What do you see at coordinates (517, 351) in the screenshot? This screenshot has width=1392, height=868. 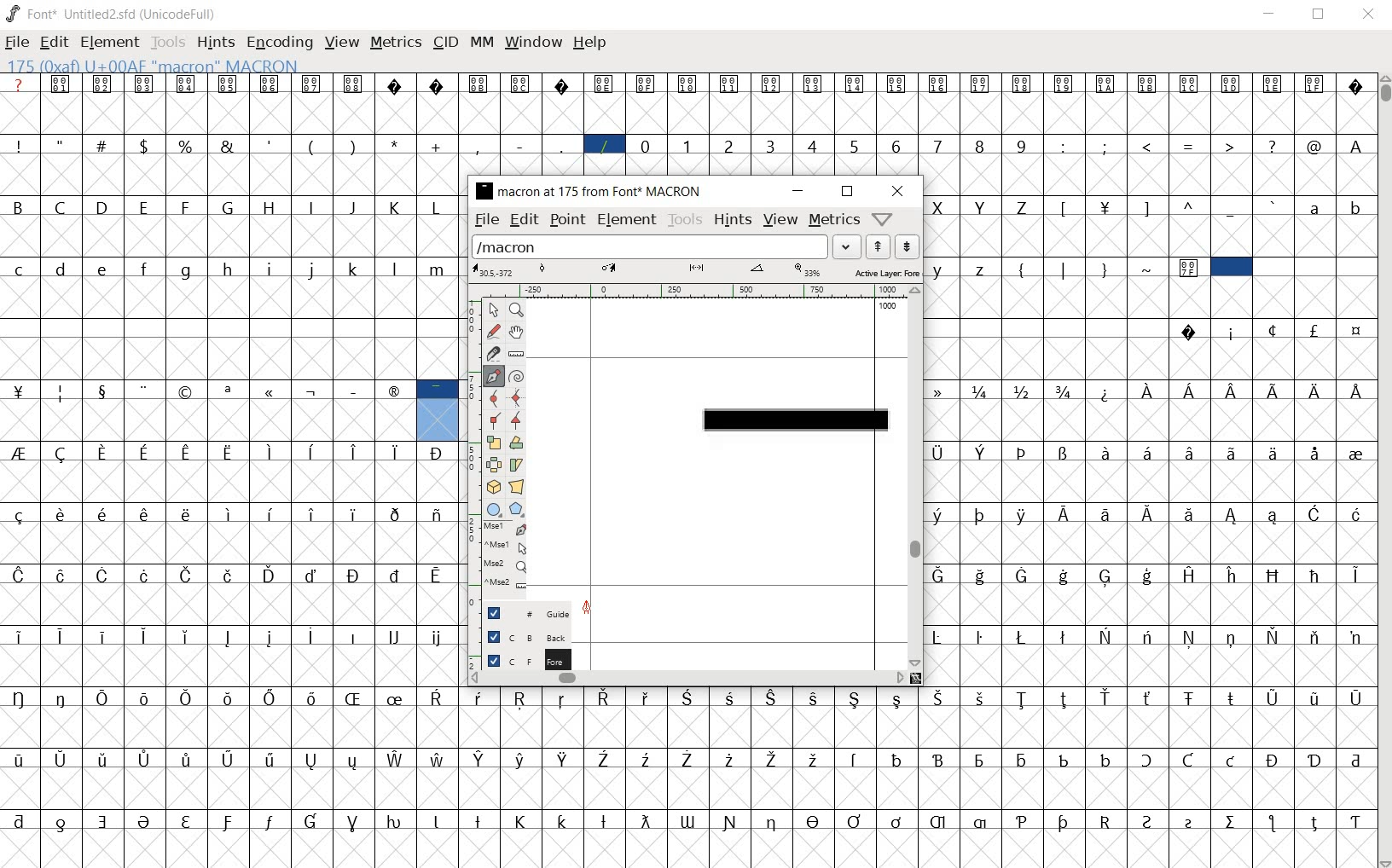 I see `ruler` at bounding box center [517, 351].